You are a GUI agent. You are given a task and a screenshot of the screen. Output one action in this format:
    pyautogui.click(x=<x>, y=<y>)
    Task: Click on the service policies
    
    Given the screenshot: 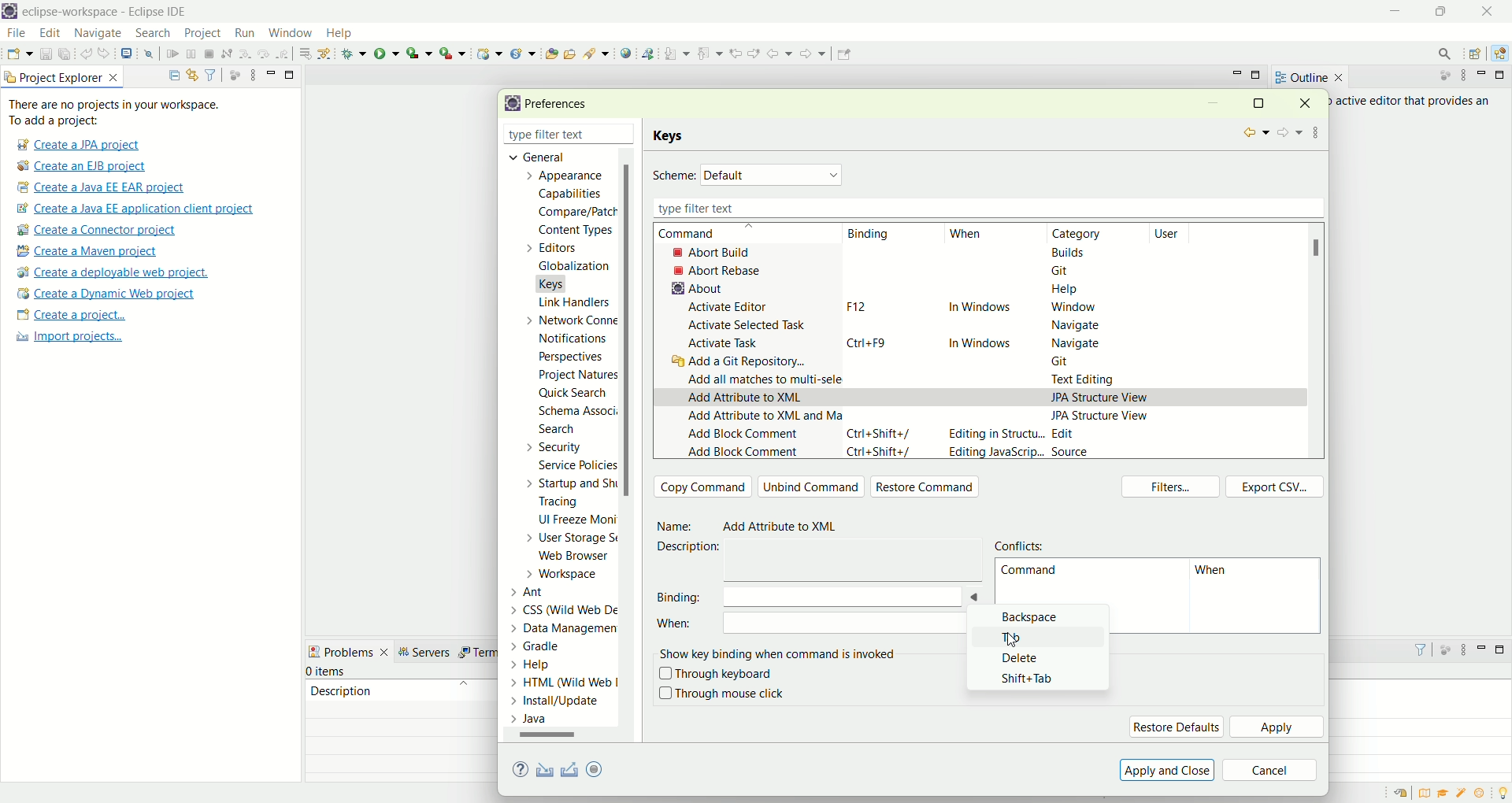 What is the action you would take?
    pyautogui.click(x=576, y=465)
    